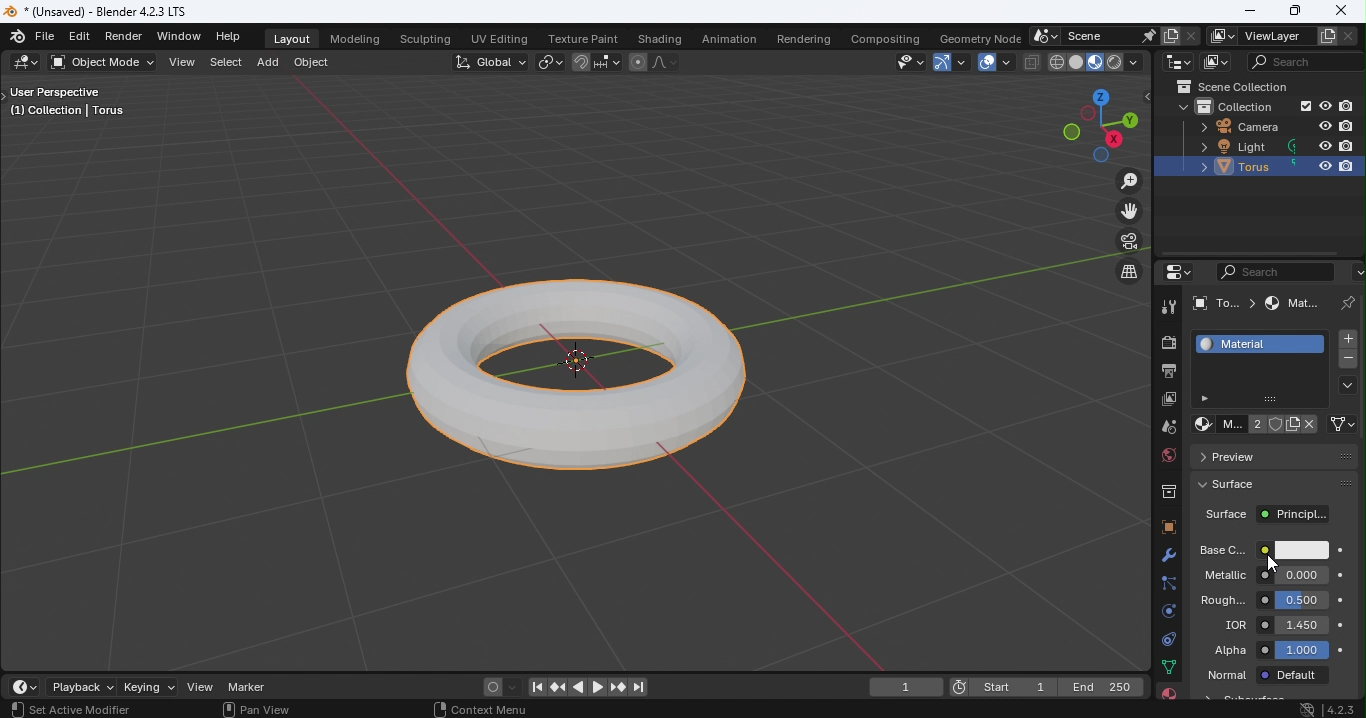  I want to click on Material, so click(1172, 690).